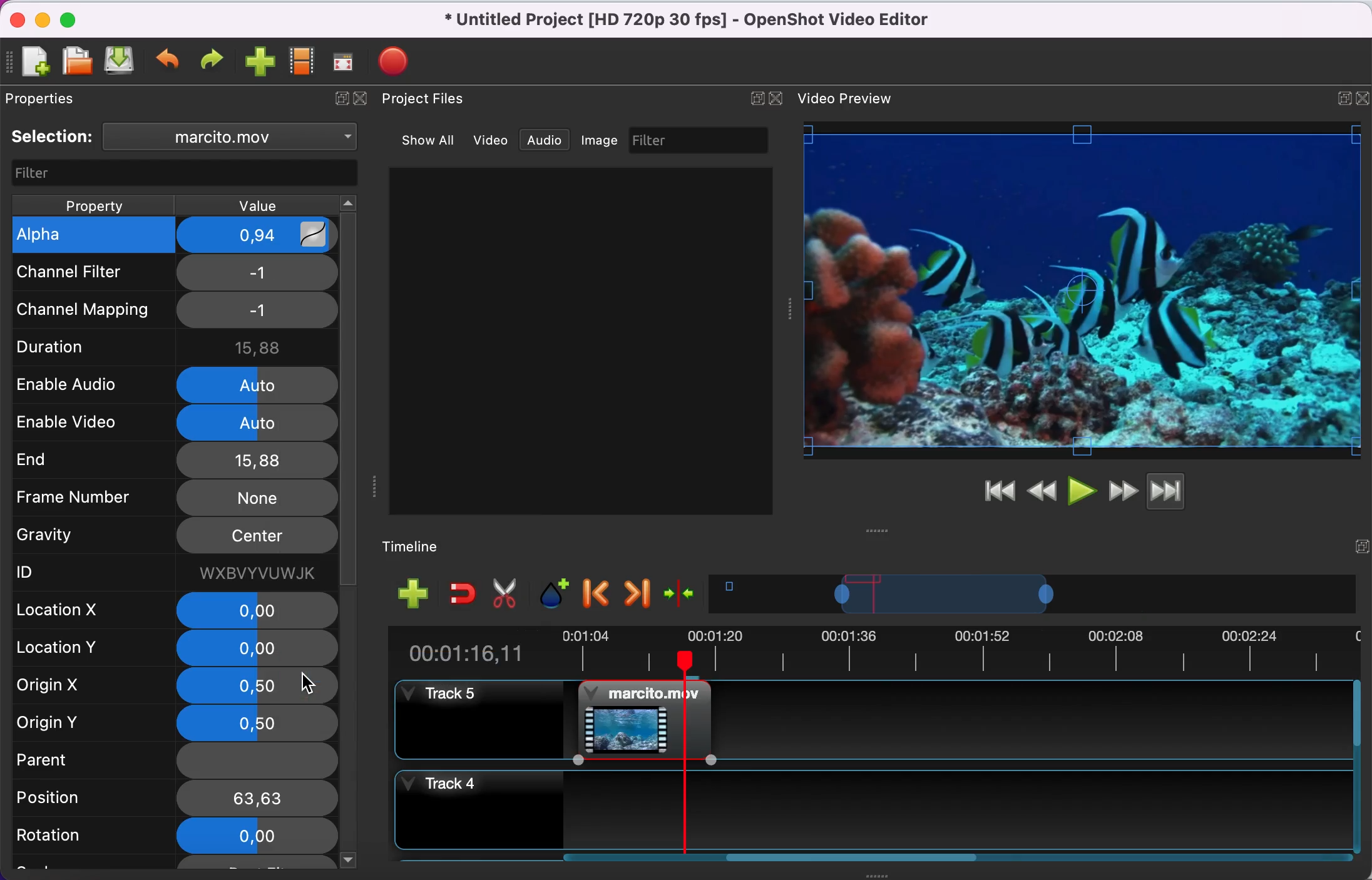 Image resolution: width=1372 pixels, height=880 pixels. What do you see at coordinates (79, 273) in the screenshot?
I see `Channel Filter` at bounding box center [79, 273].